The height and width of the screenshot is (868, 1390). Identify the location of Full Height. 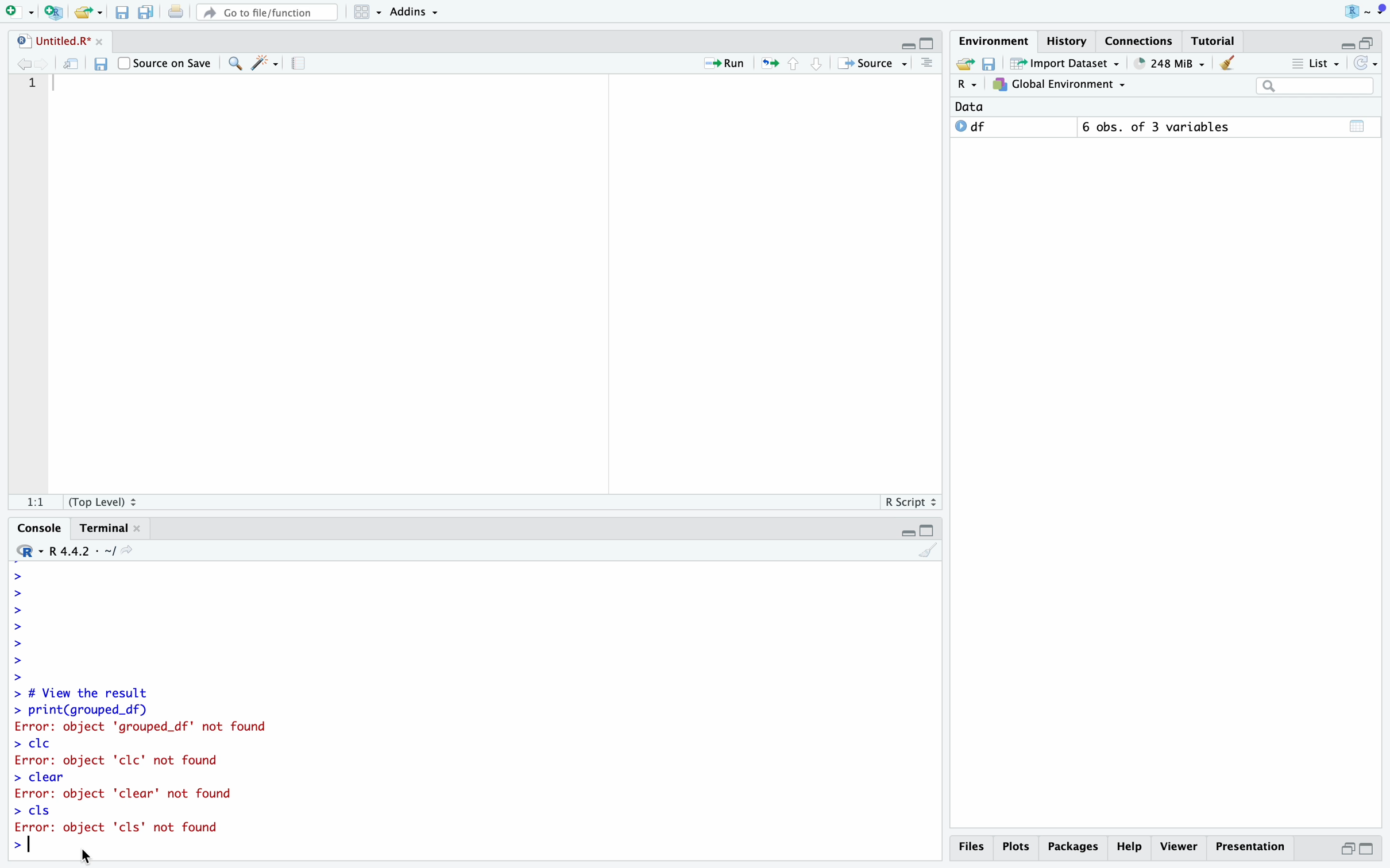
(1368, 850).